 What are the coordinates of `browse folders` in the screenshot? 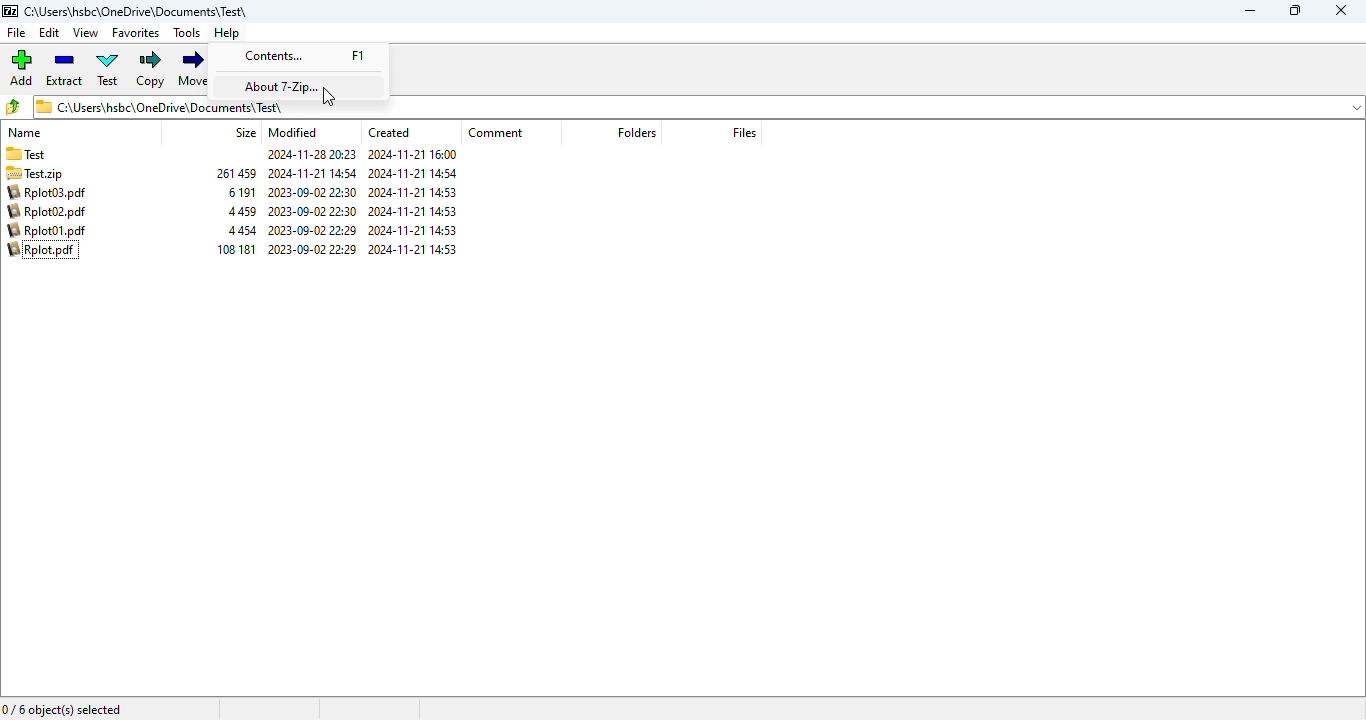 It's located at (13, 106).